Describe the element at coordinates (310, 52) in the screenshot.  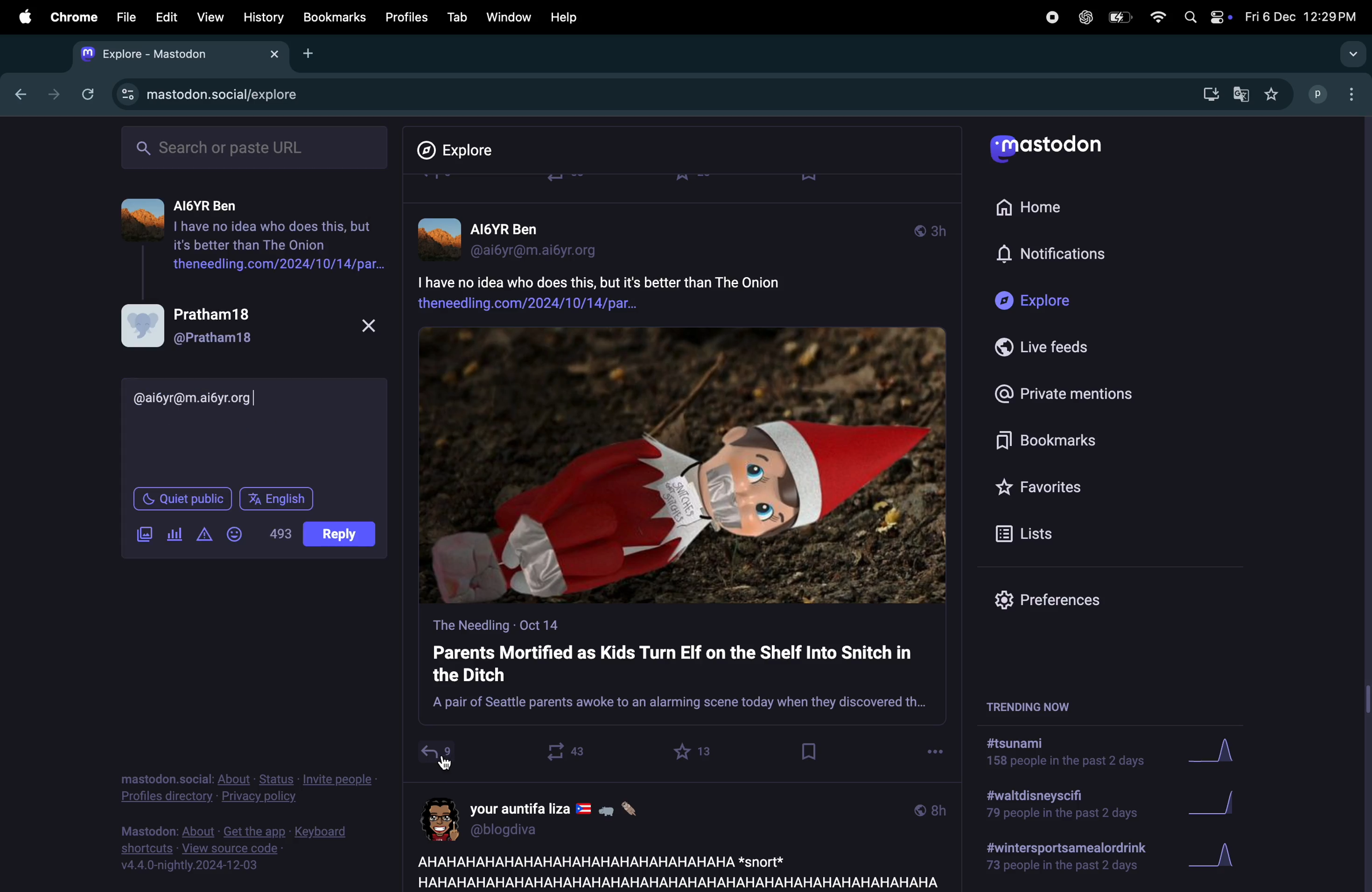
I see `add tab` at that location.